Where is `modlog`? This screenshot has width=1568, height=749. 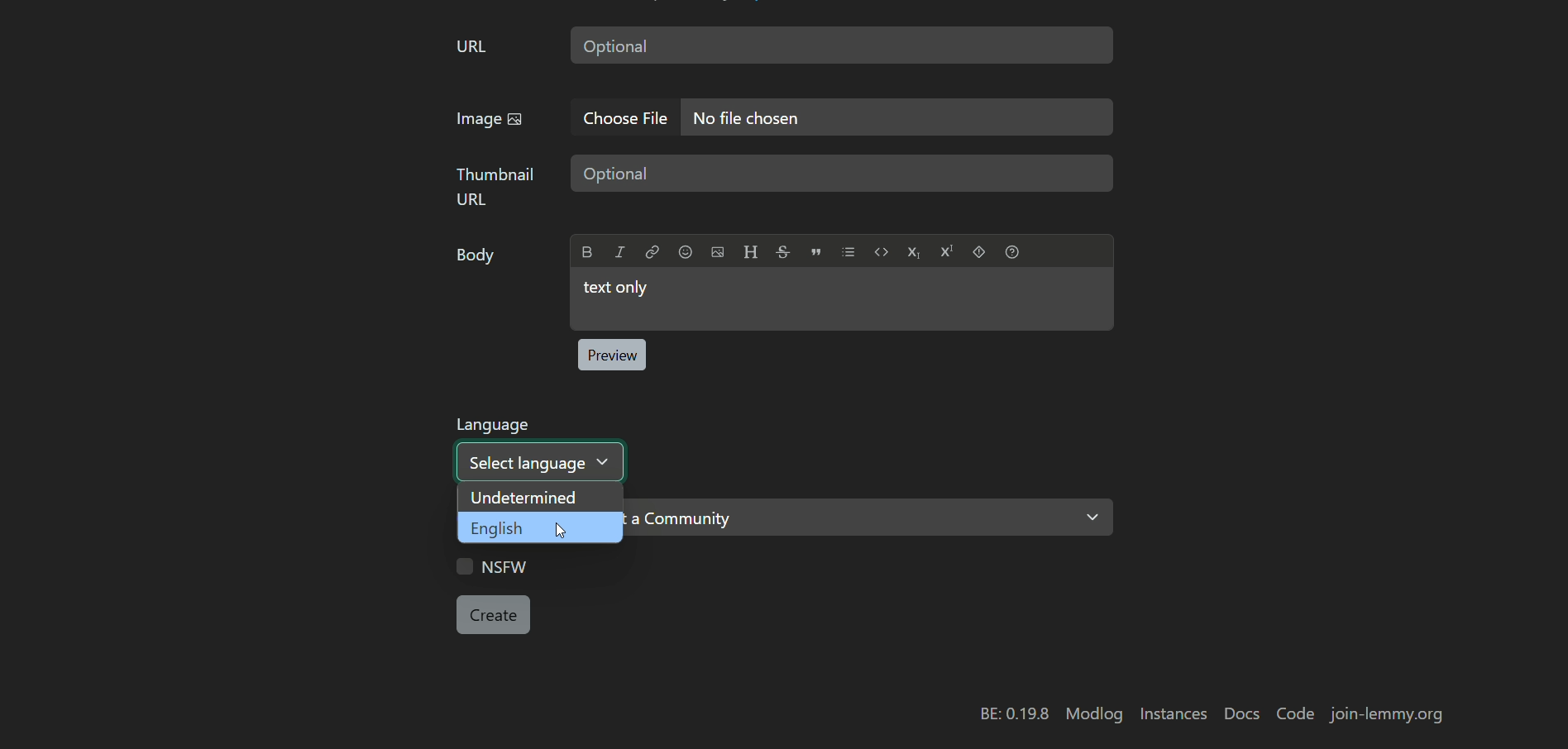
modlog is located at coordinates (1094, 714).